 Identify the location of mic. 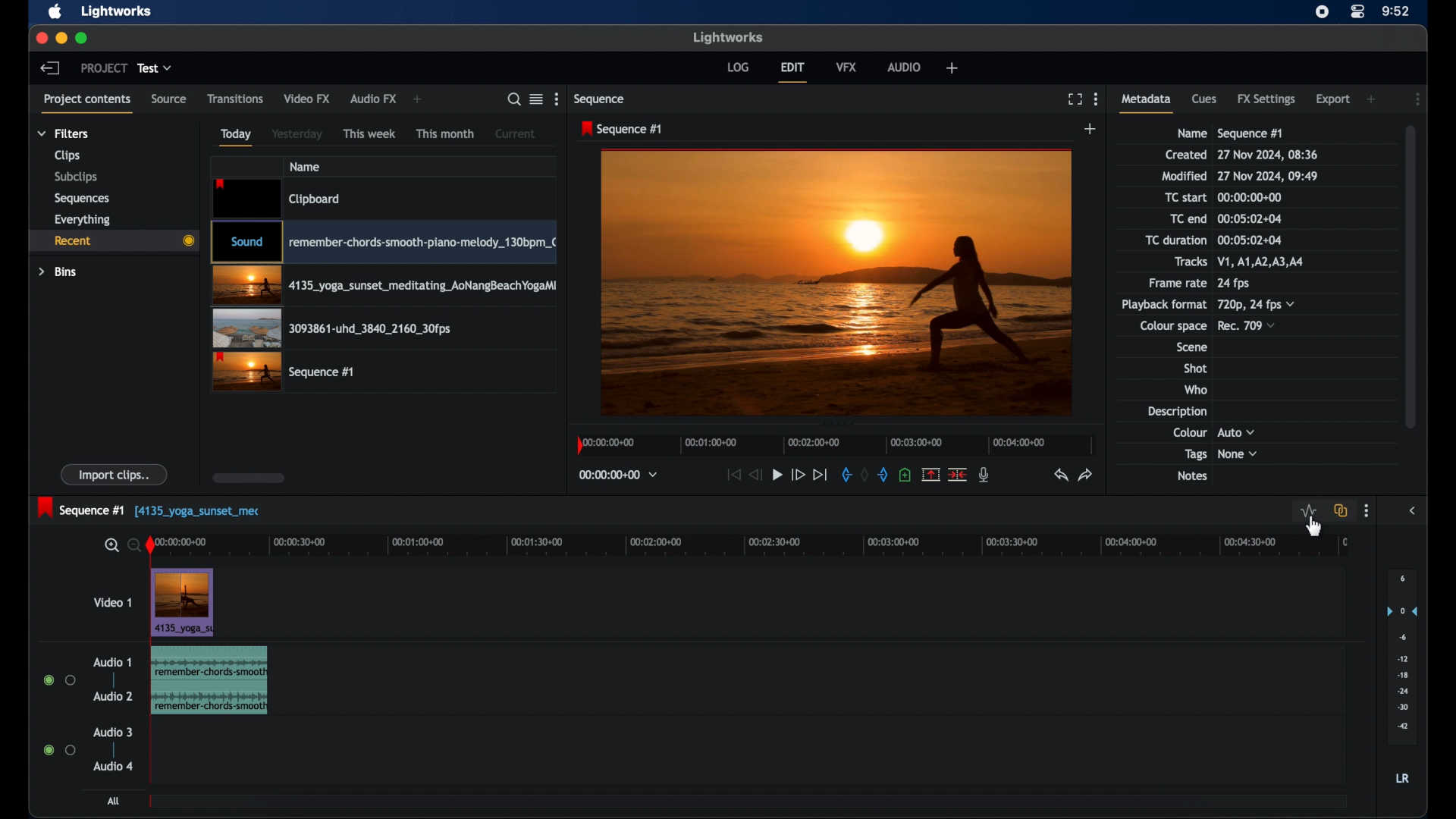
(986, 475).